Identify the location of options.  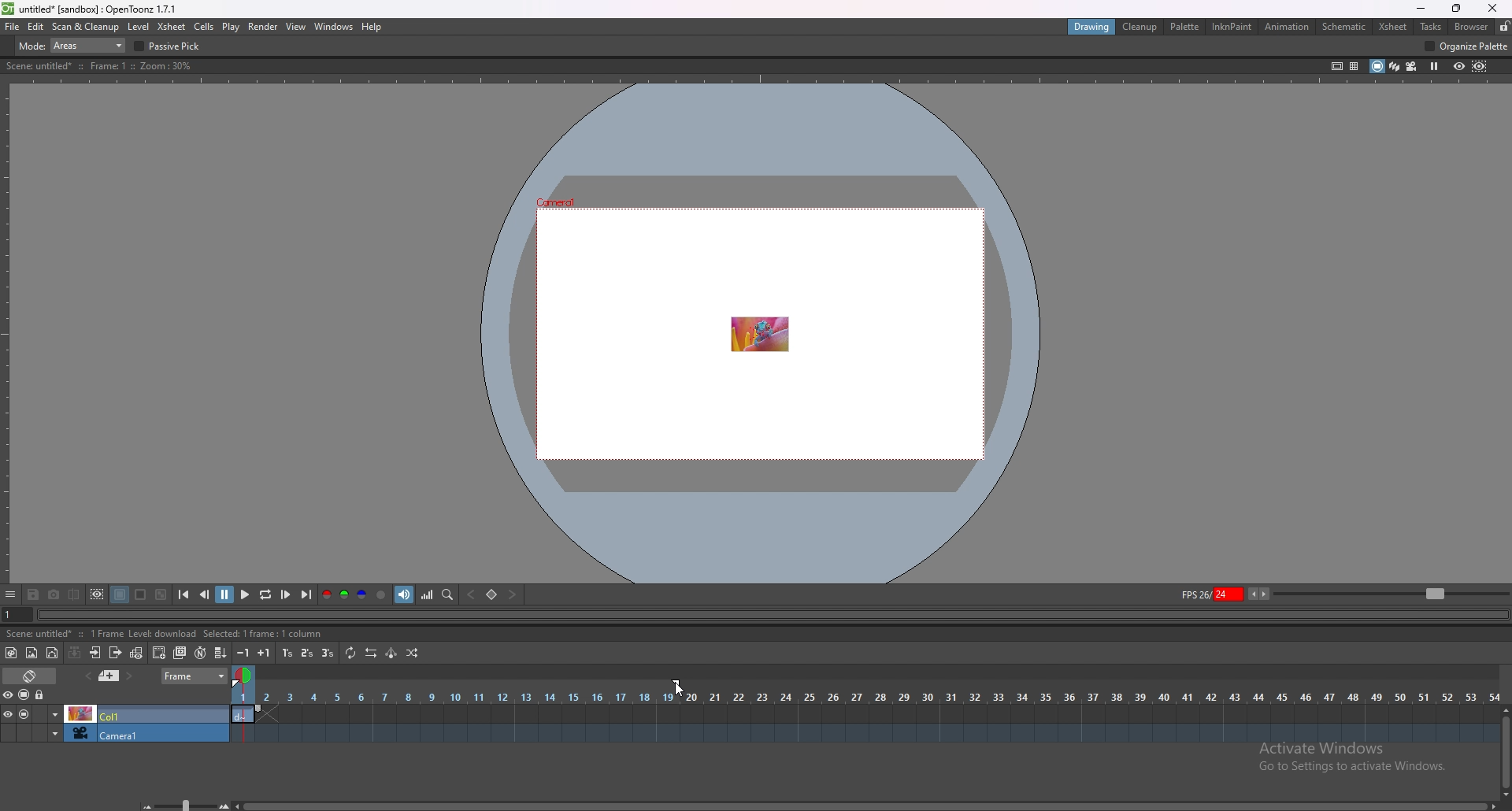
(11, 595).